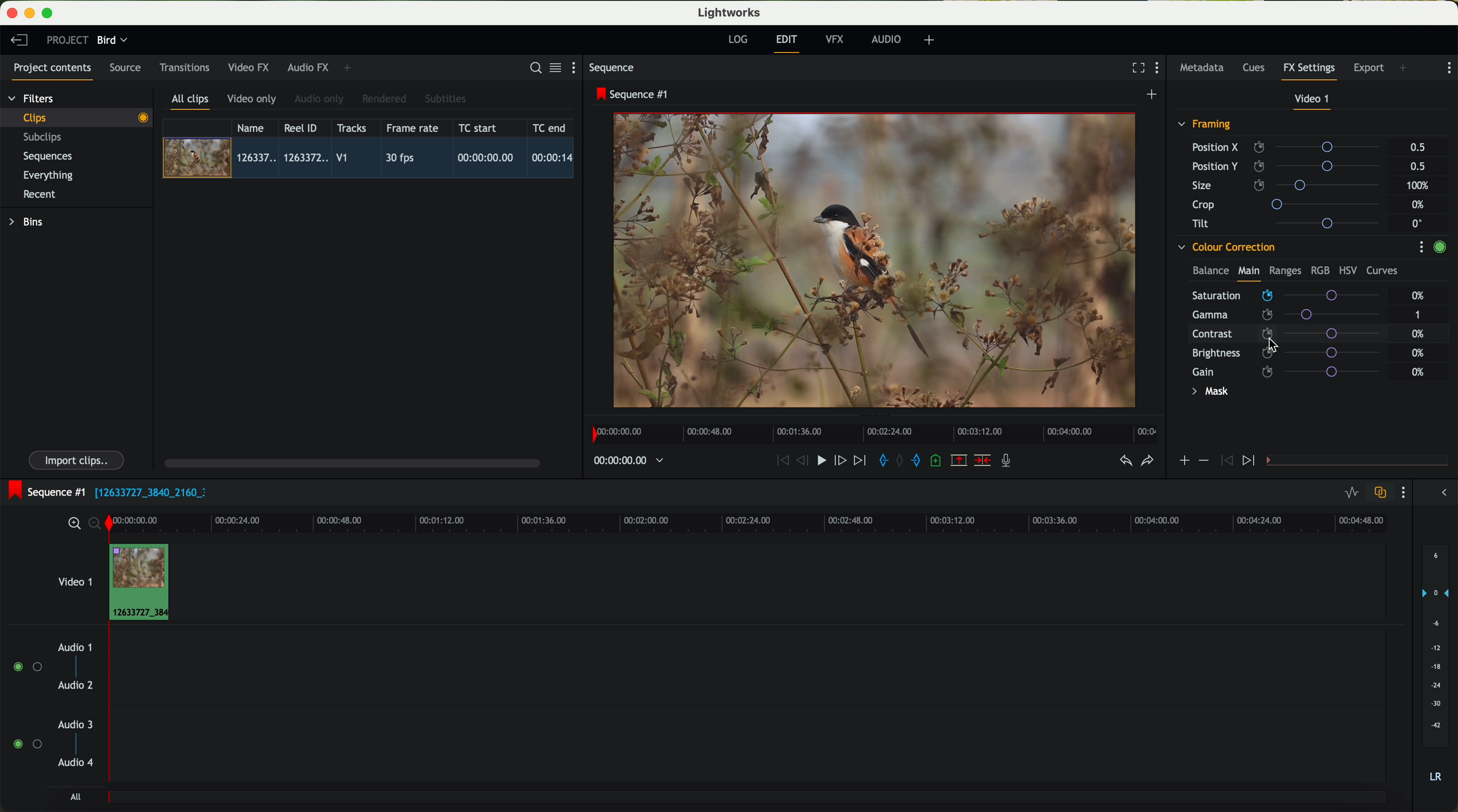  What do you see at coordinates (1125, 461) in the screenshot?
I see `undo` at bounding box center [1125, 461].